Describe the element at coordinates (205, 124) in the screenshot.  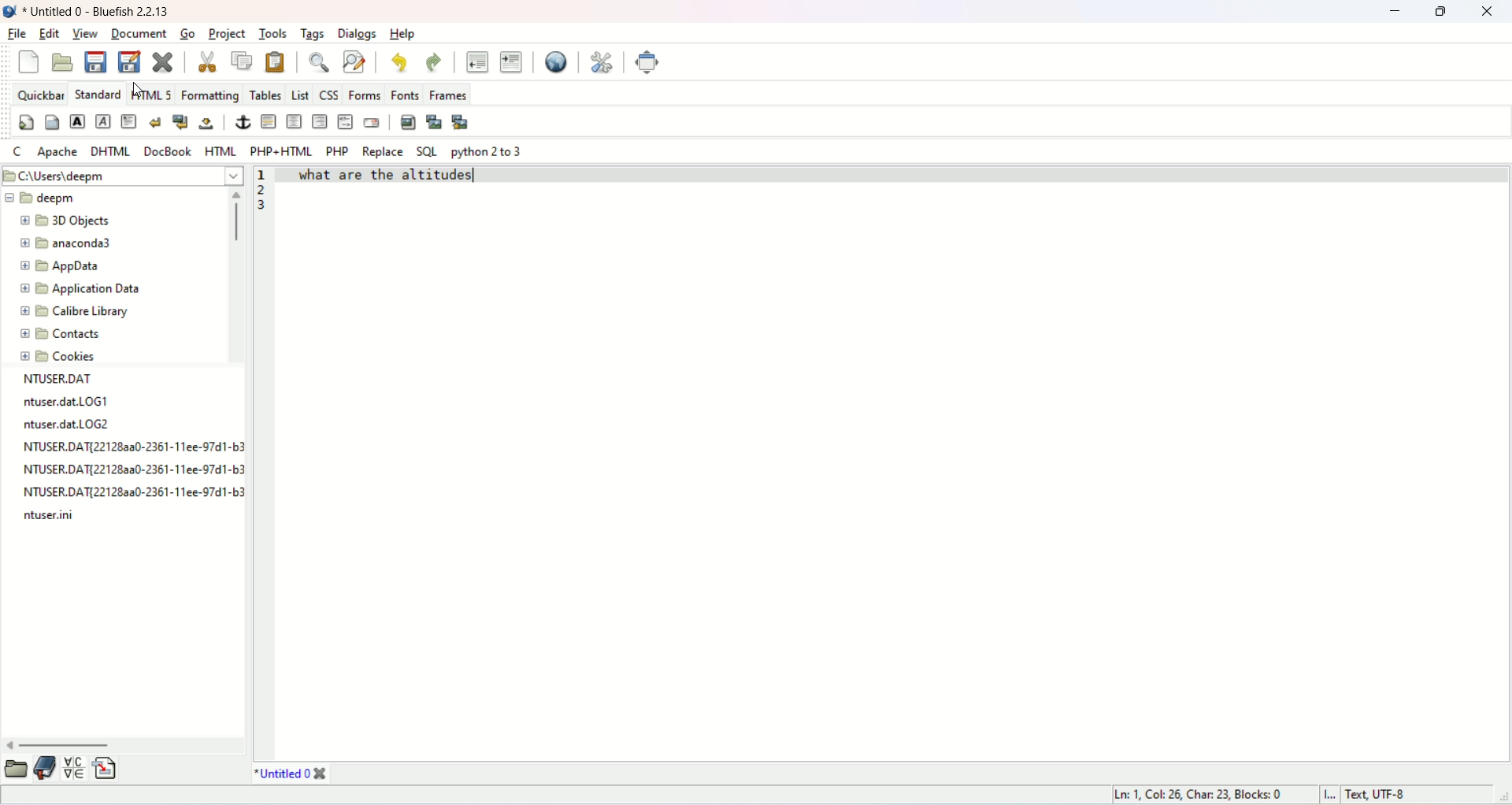
I see `non-breaking space` at that location.